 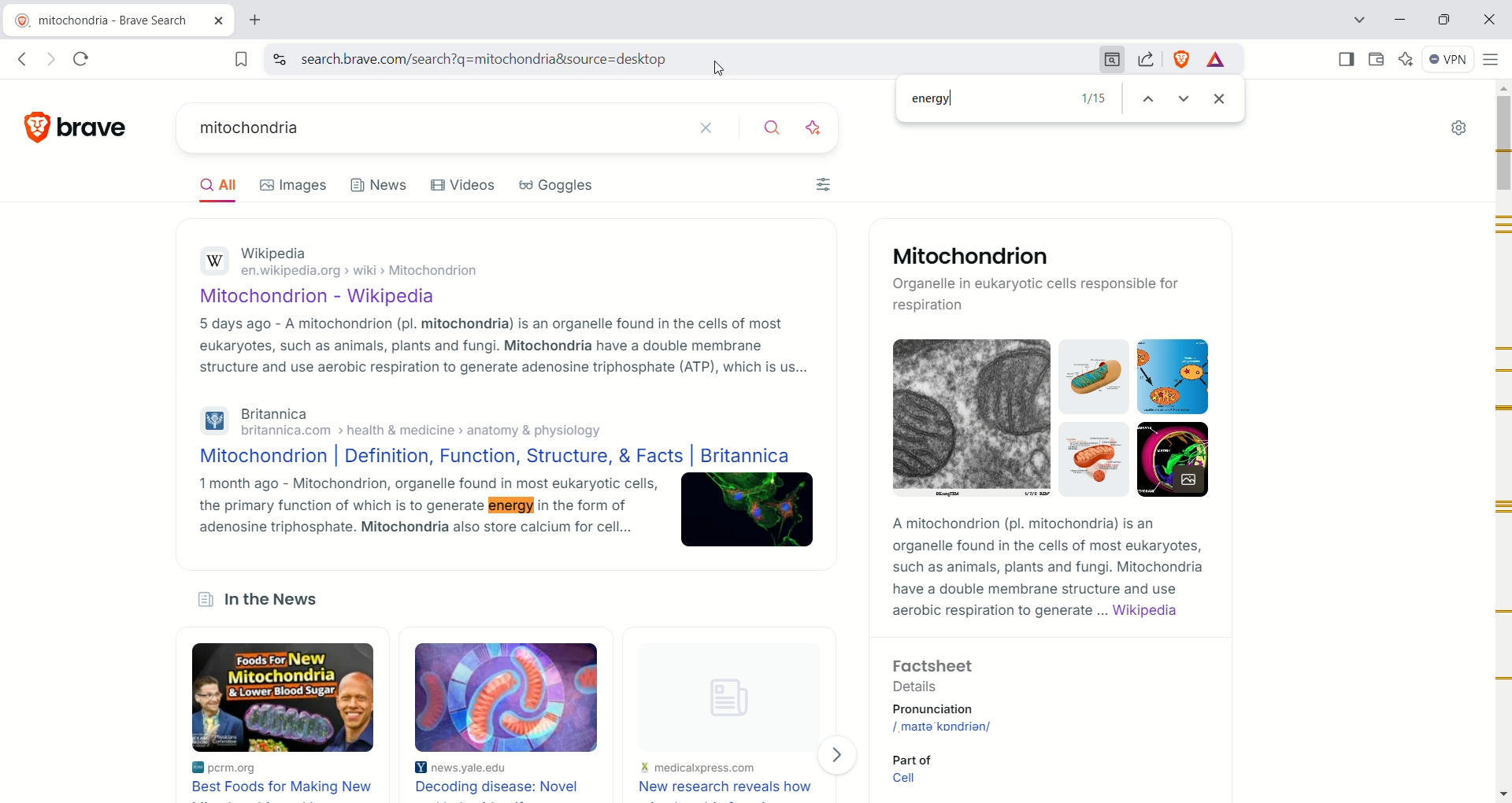 What do you see at coordinates (825, 185) in the screenshot?
I see `Filters` at bounding box center [825, 185].